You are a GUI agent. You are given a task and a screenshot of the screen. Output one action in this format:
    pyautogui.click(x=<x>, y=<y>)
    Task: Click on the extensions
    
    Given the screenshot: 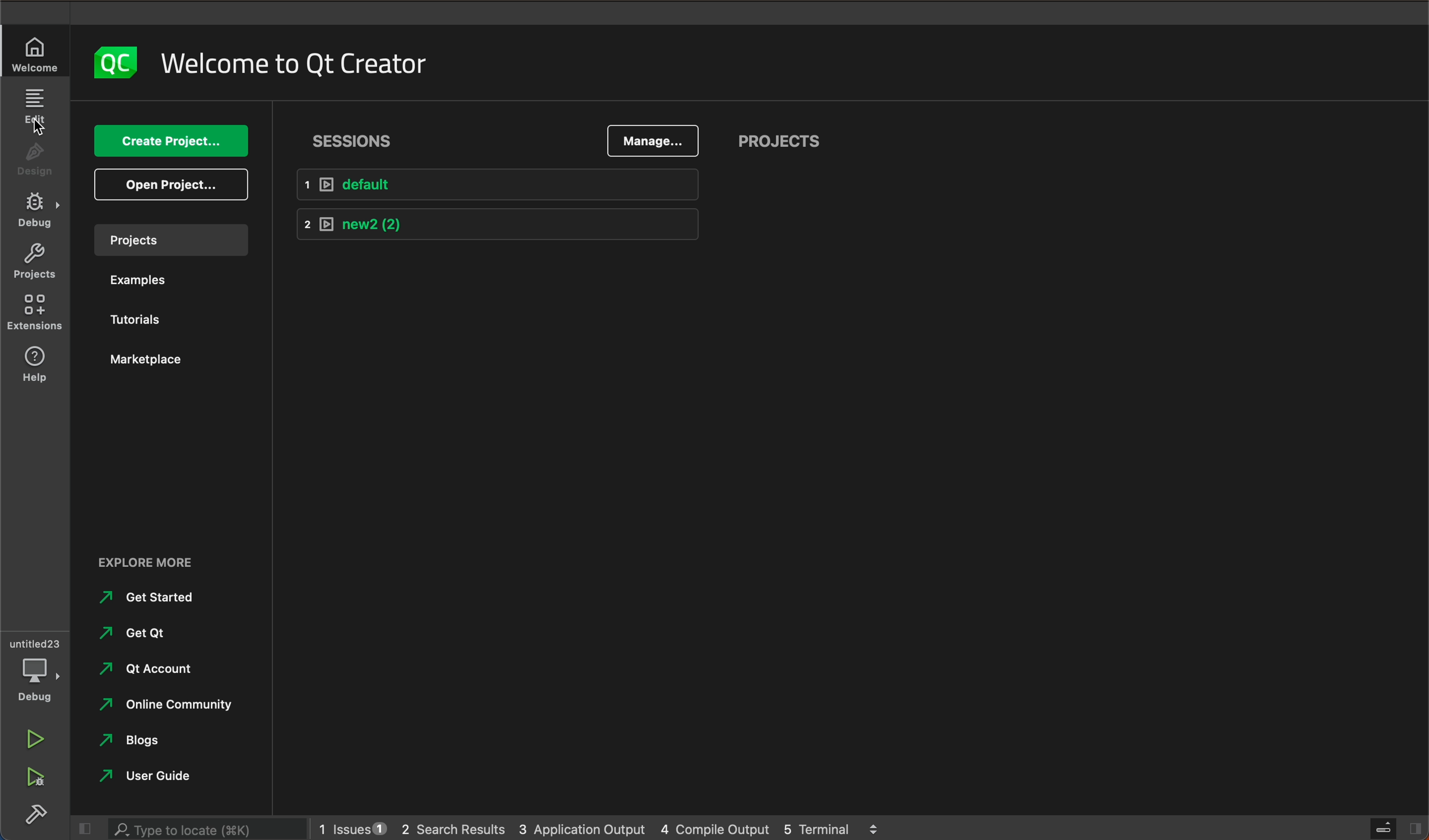 What is the action you would take?
    pyautogui.click(x=35, y=313)
    